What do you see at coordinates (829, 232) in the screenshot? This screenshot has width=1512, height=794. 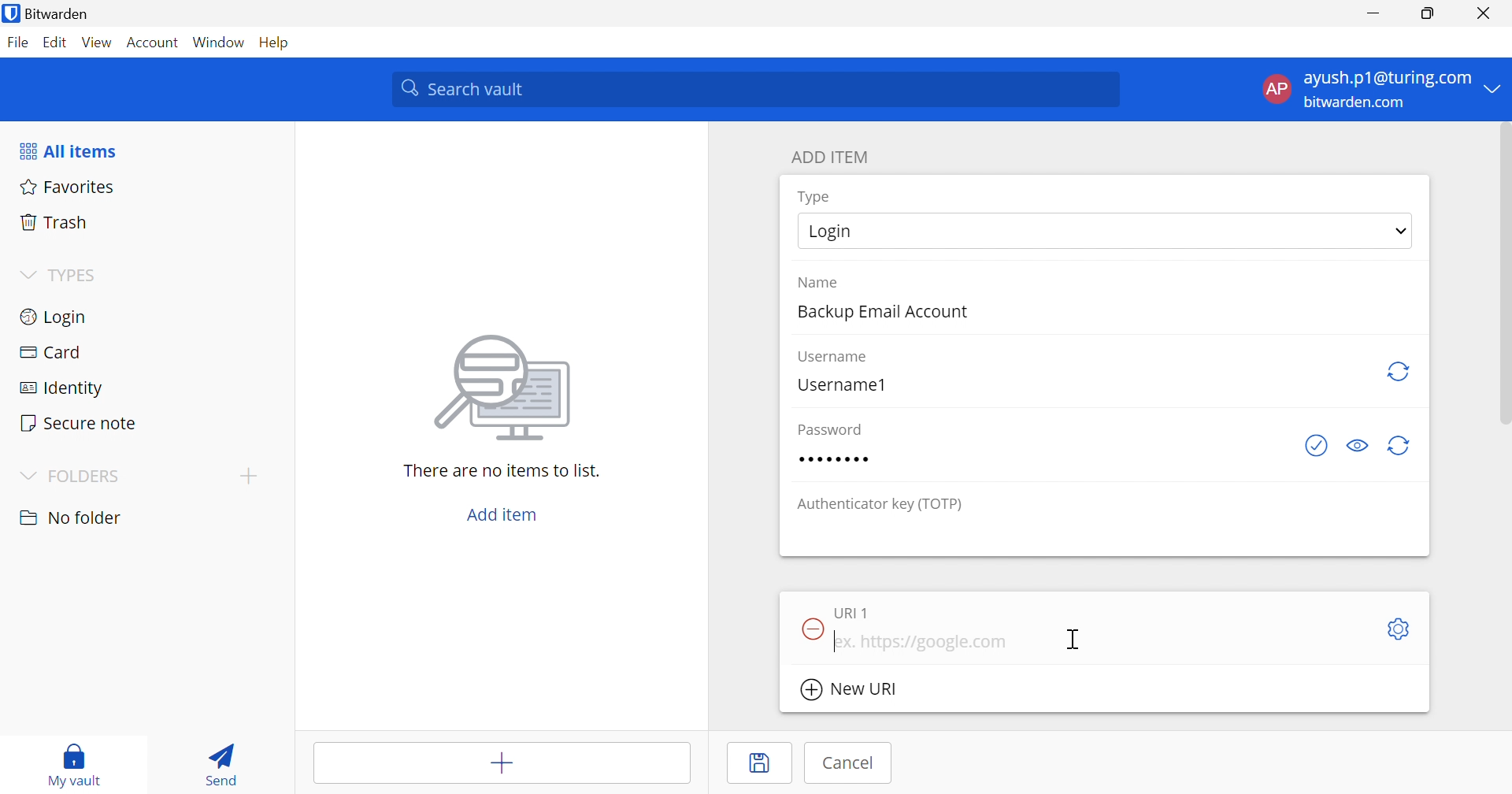 I see `Login` at bounding box center [829, 232].